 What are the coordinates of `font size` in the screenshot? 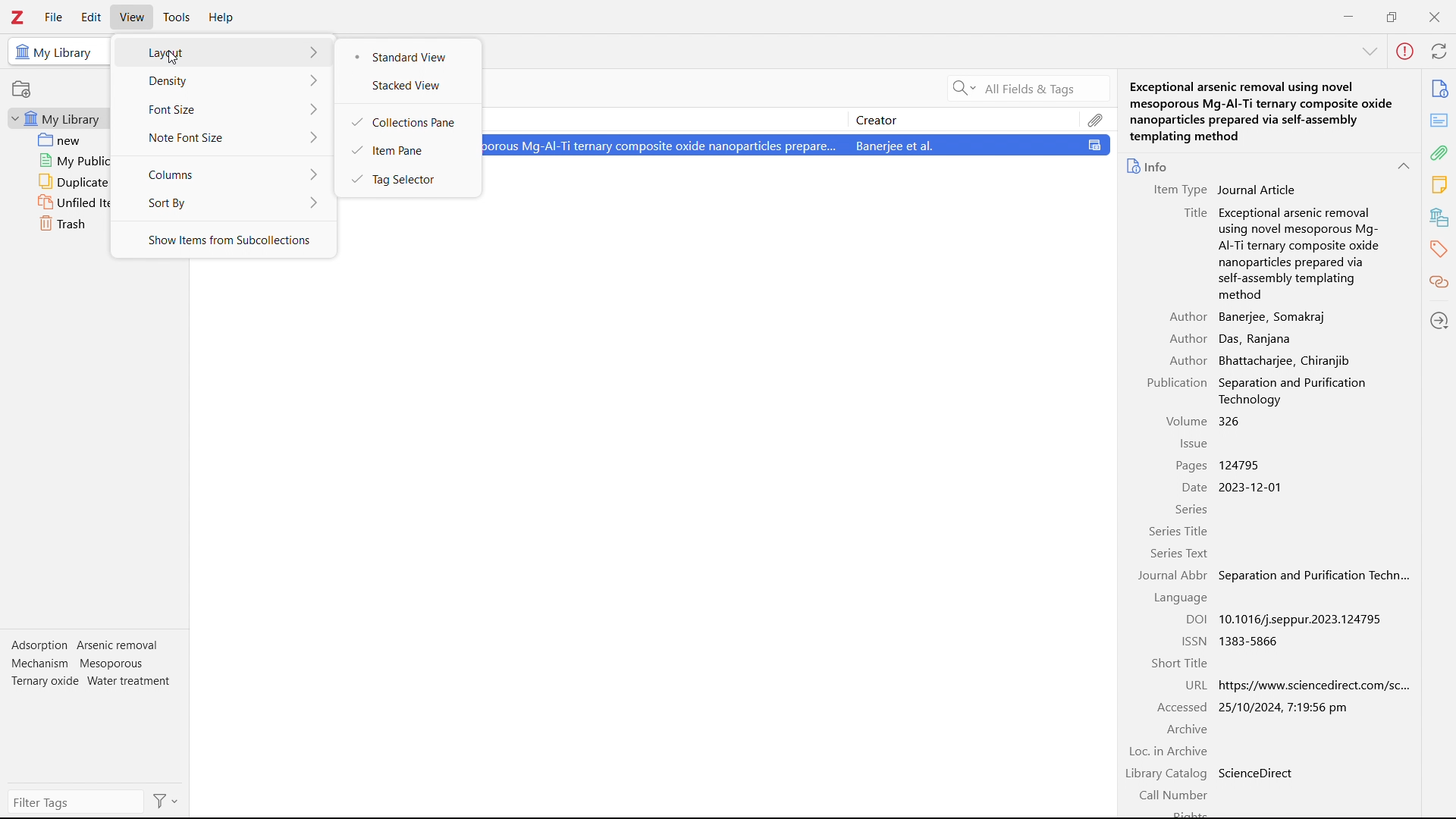 It's located at (224, 108).